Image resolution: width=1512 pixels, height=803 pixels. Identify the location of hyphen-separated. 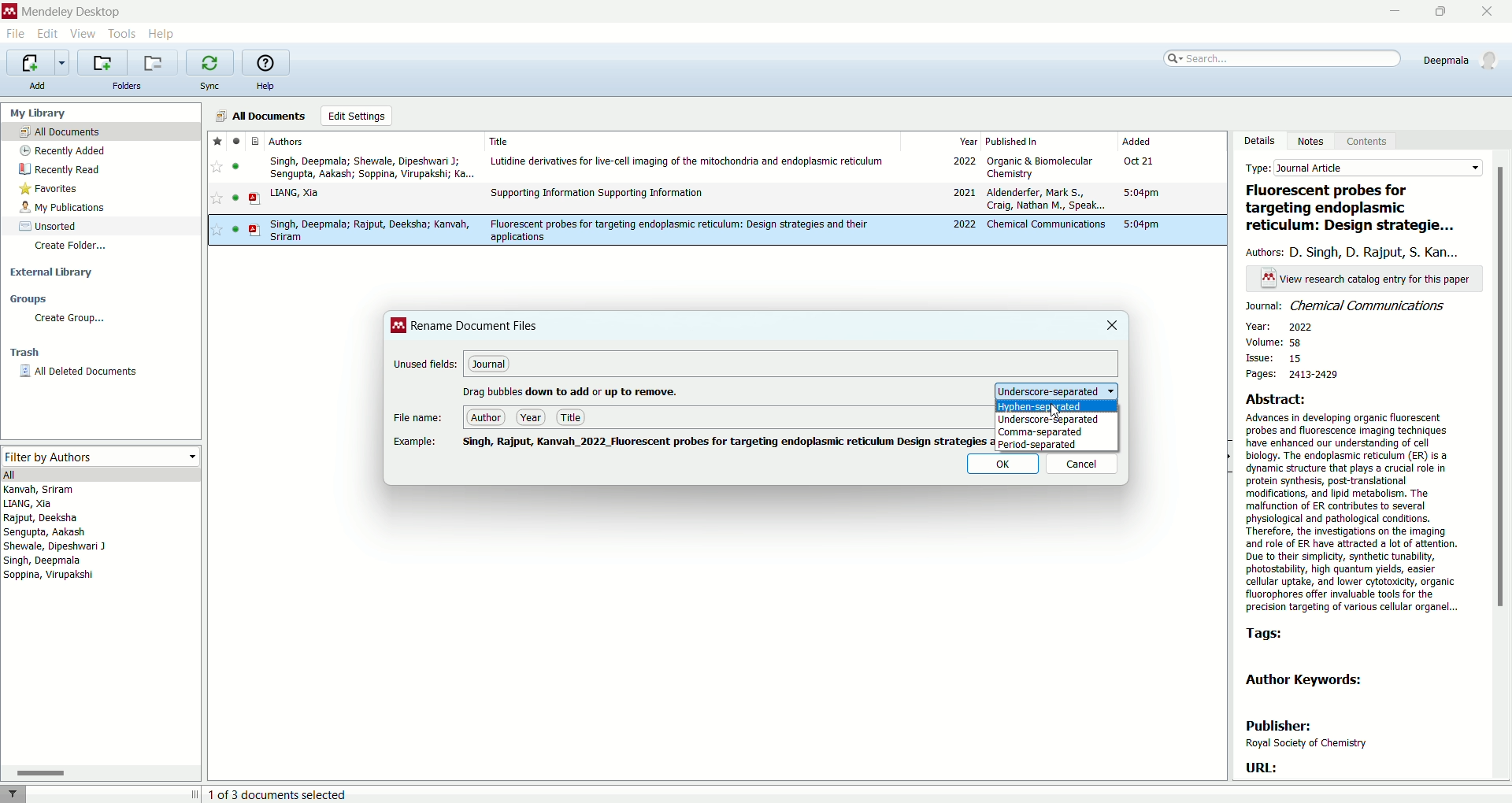
(1055, 406).